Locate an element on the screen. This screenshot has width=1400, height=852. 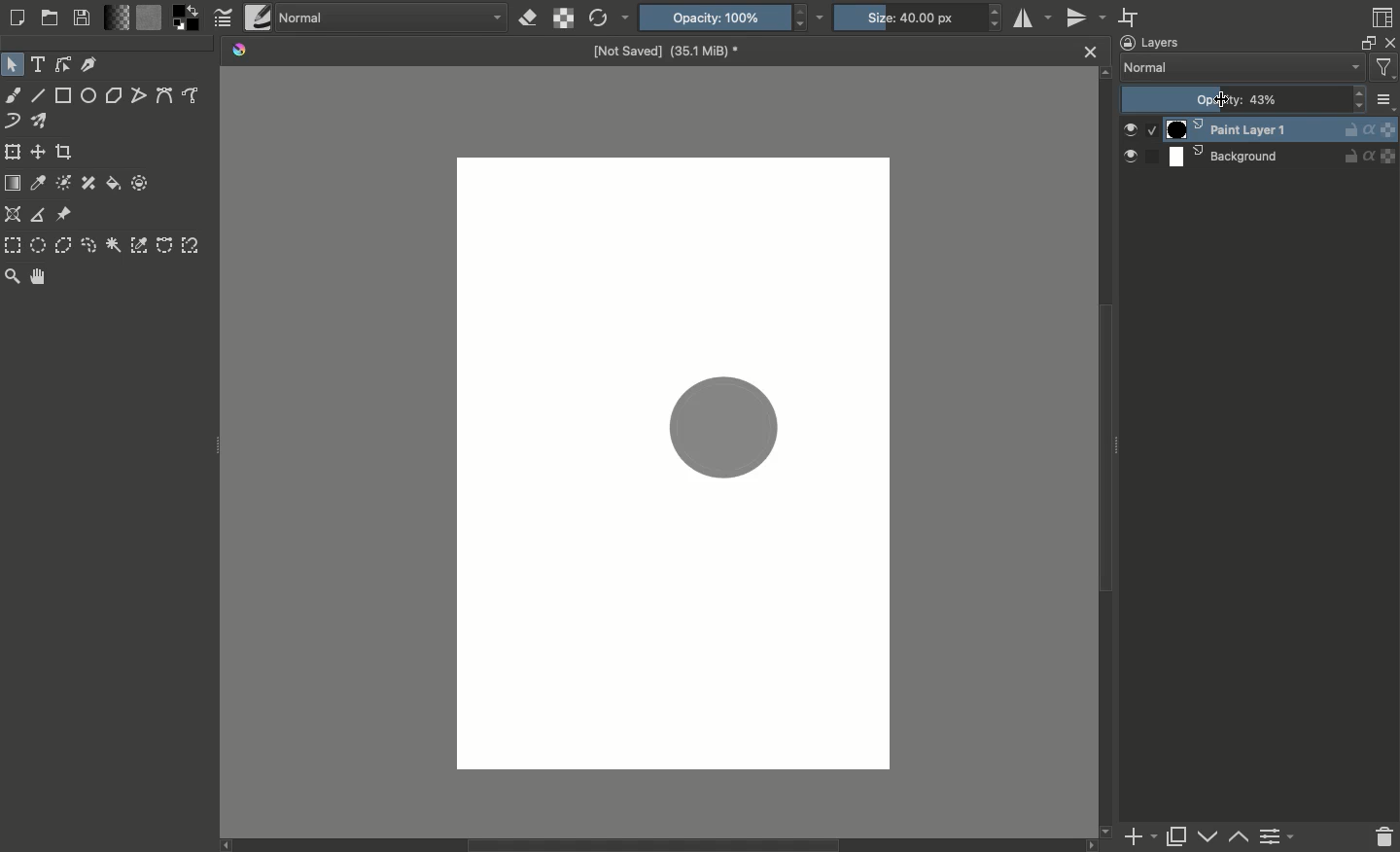
Measure distance is located at coordinates (39, 216).